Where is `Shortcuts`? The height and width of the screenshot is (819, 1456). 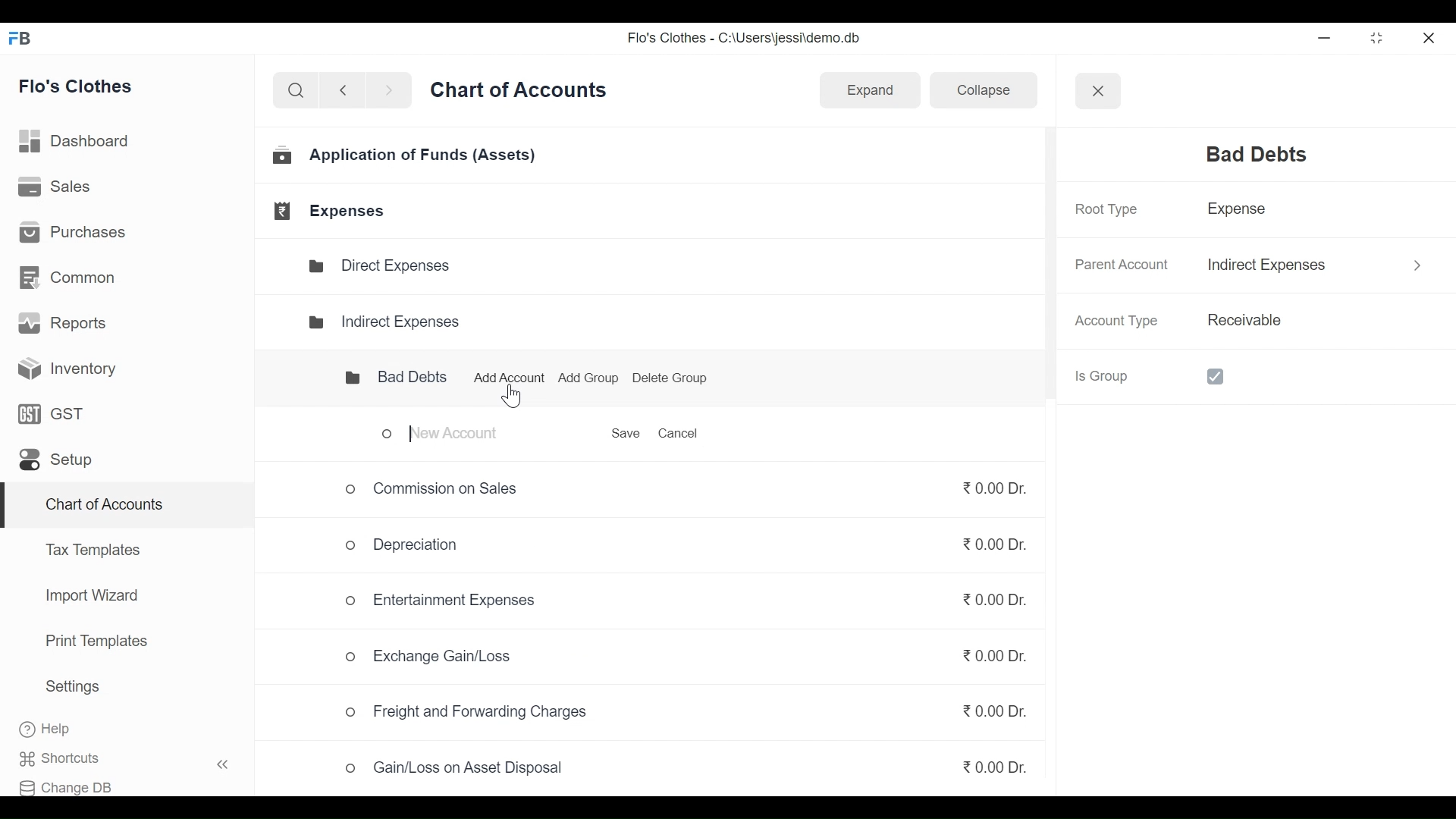 Shortcuts is located at coordinates (133, 758).